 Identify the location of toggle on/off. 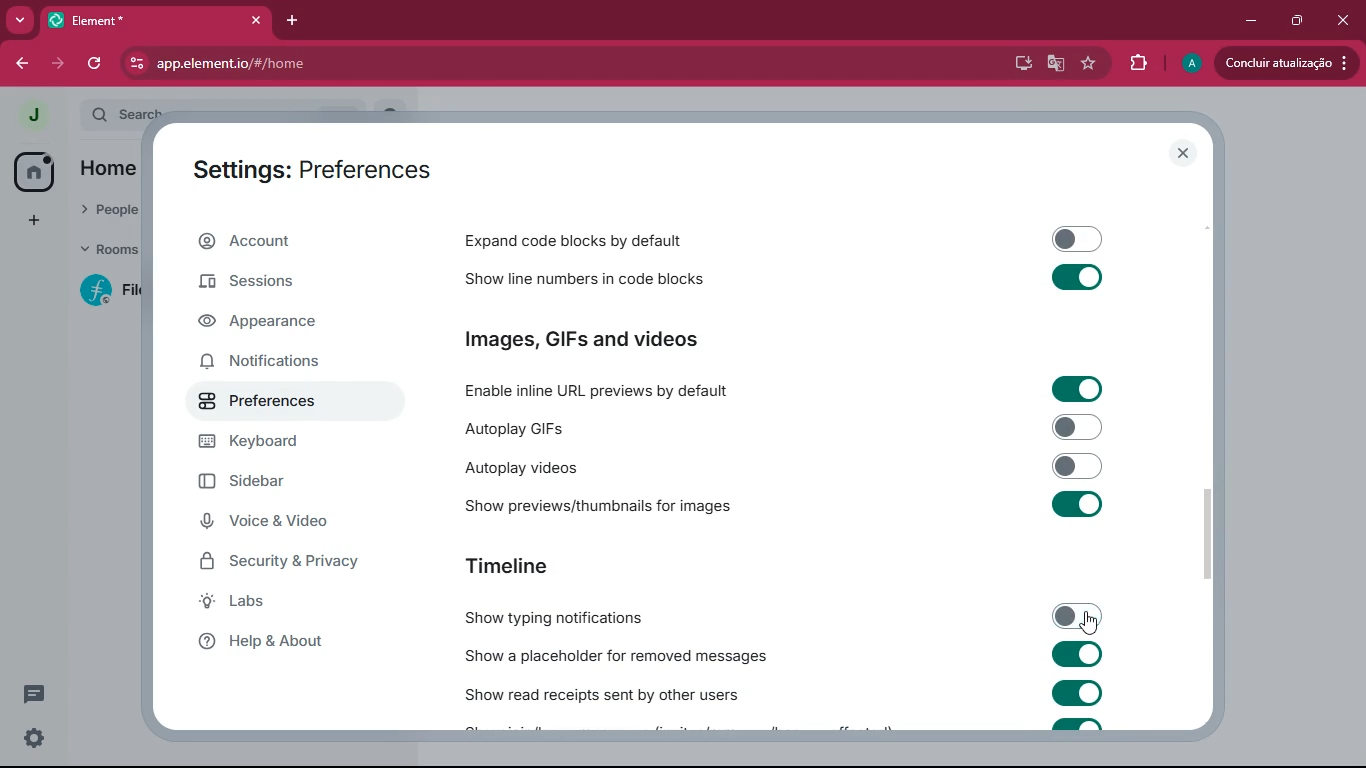
(1079, 277).